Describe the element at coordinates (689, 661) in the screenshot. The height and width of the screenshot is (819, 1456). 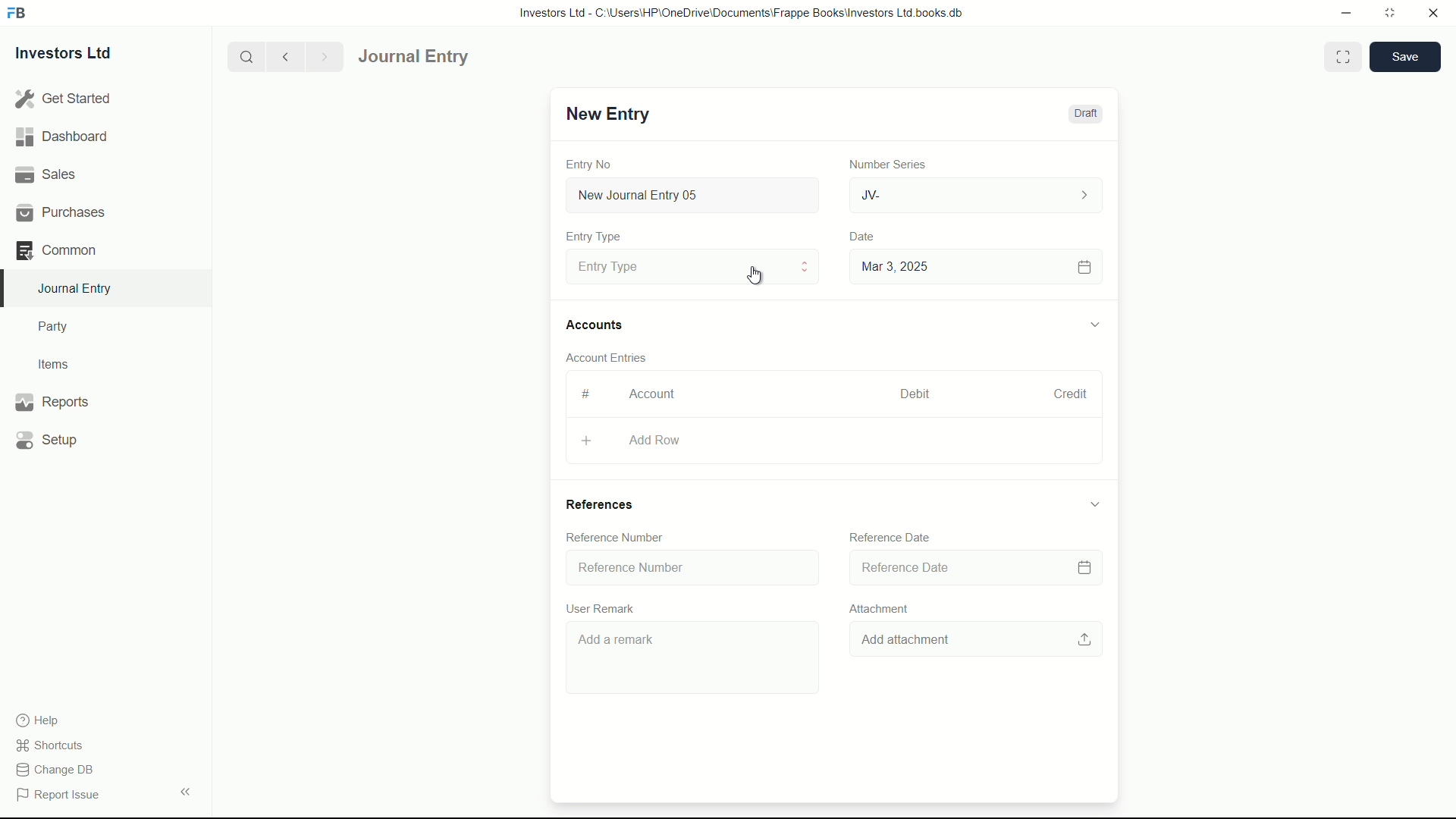
I see `Add a remark` at that location.